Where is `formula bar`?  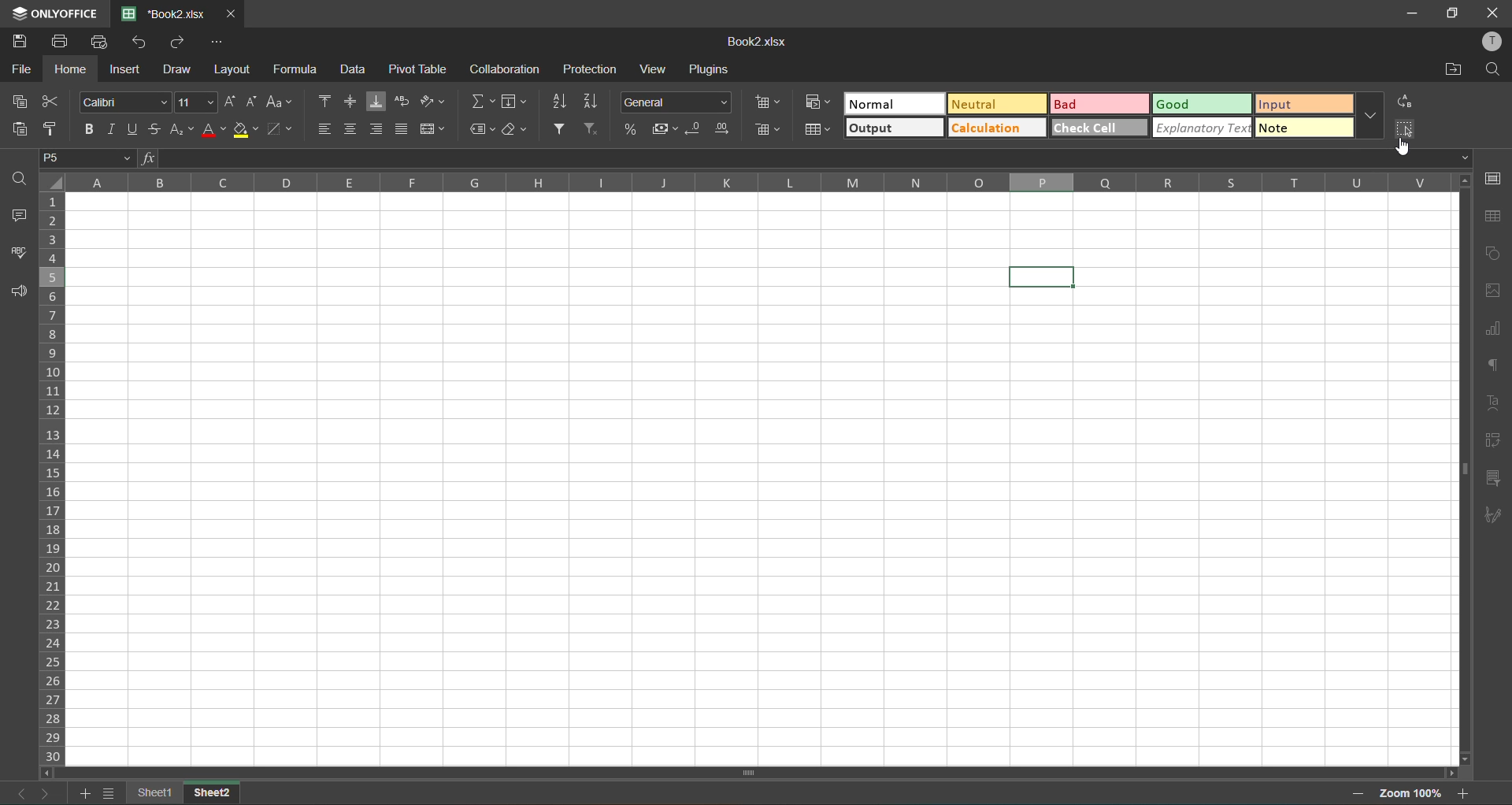
formula bar is located at coordinates (817, 161).